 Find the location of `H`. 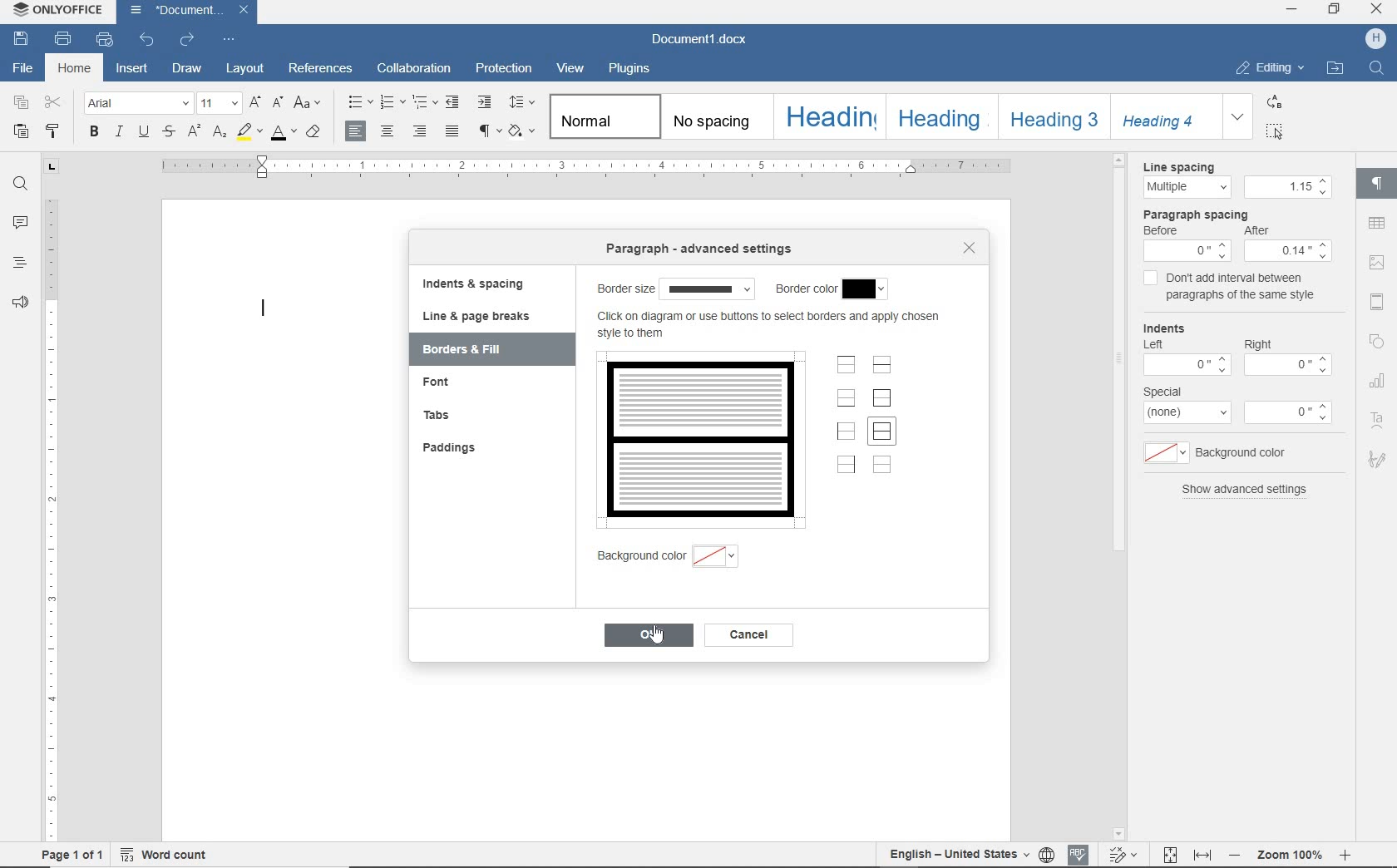

H is located at coordinates (1378, 39).